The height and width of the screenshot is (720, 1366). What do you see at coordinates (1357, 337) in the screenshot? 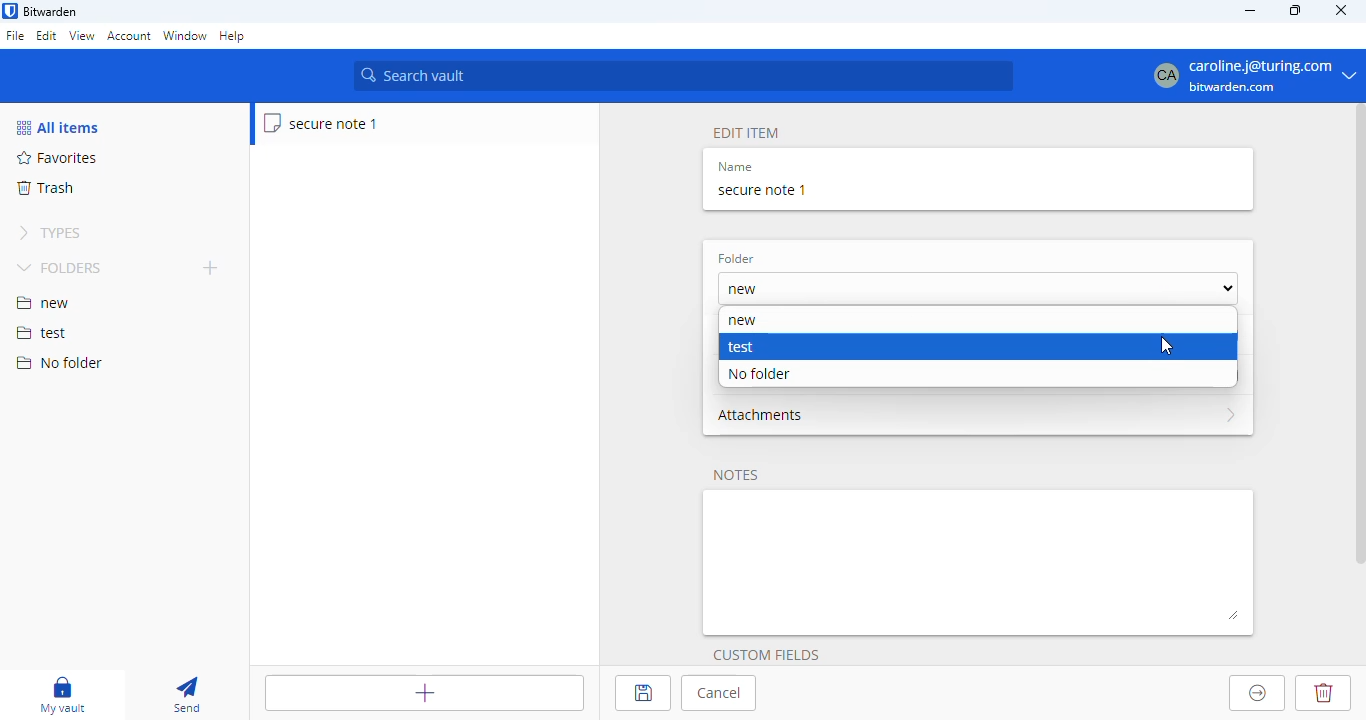
I see `vertical scroll bar` at bounding box center [1357, 337].